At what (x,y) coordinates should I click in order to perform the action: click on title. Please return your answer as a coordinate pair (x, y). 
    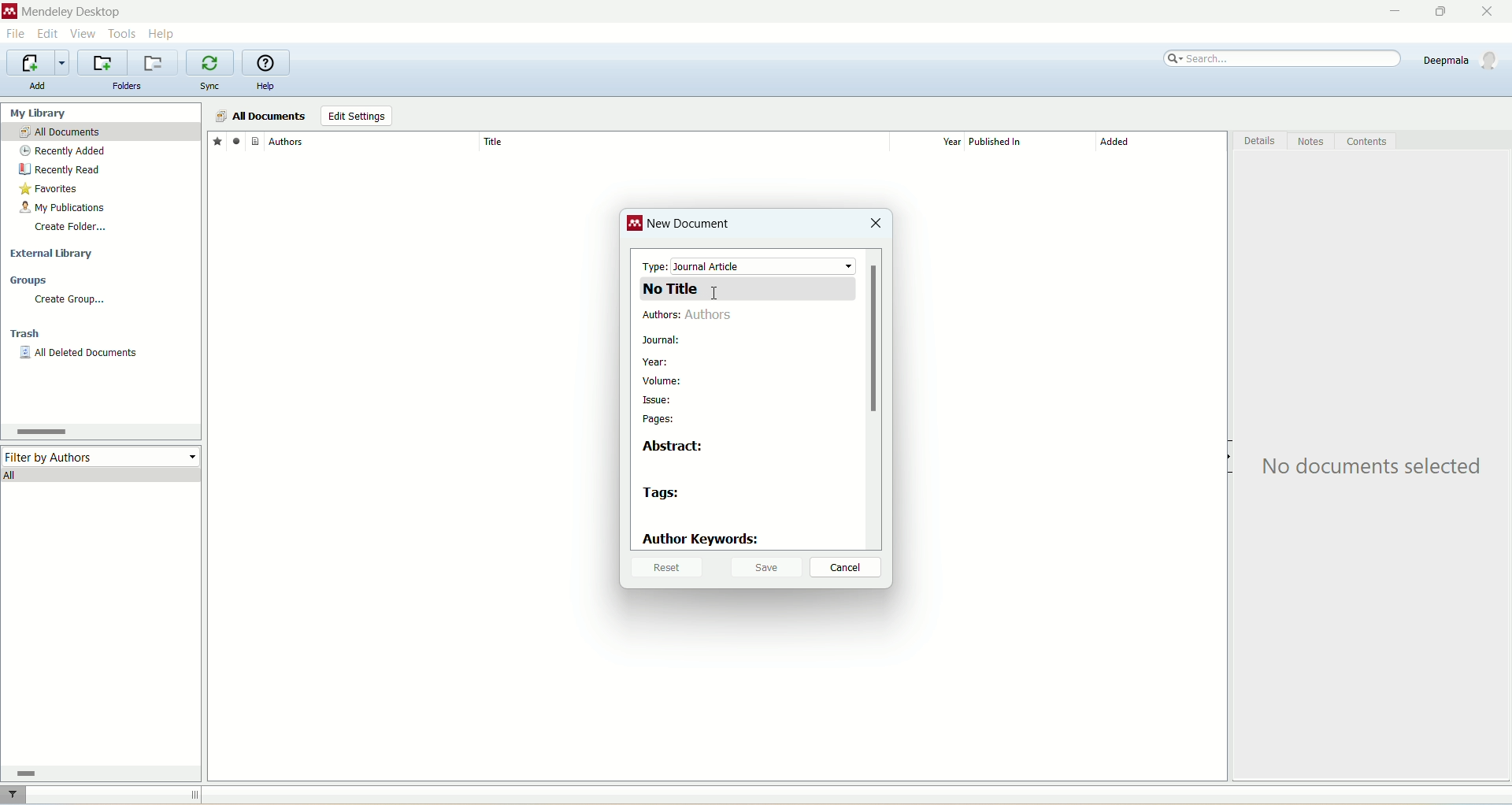
    Looking at the image, I should click on (748, 288).